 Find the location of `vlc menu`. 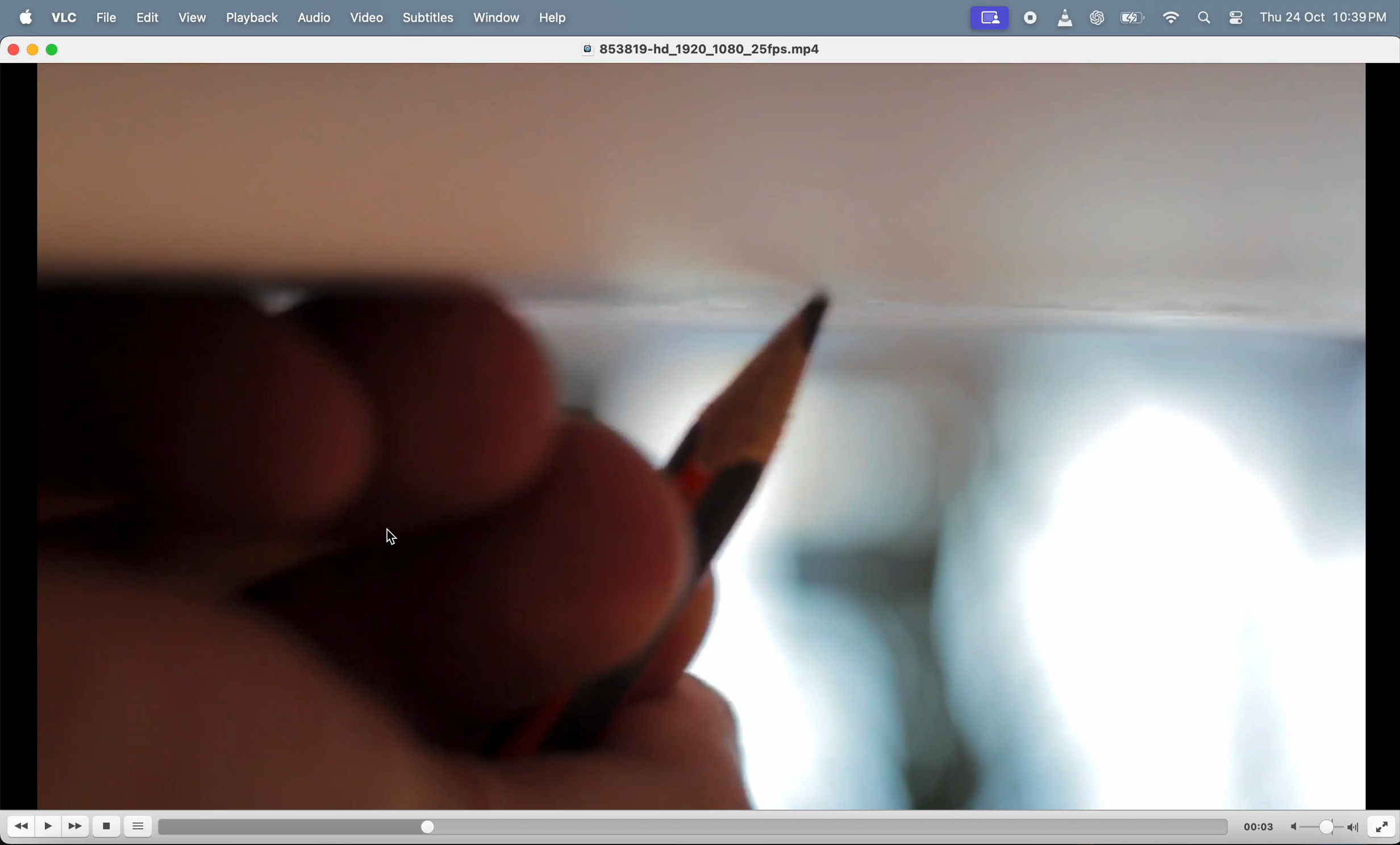

vlc menu is located at coordinates (63, 19).